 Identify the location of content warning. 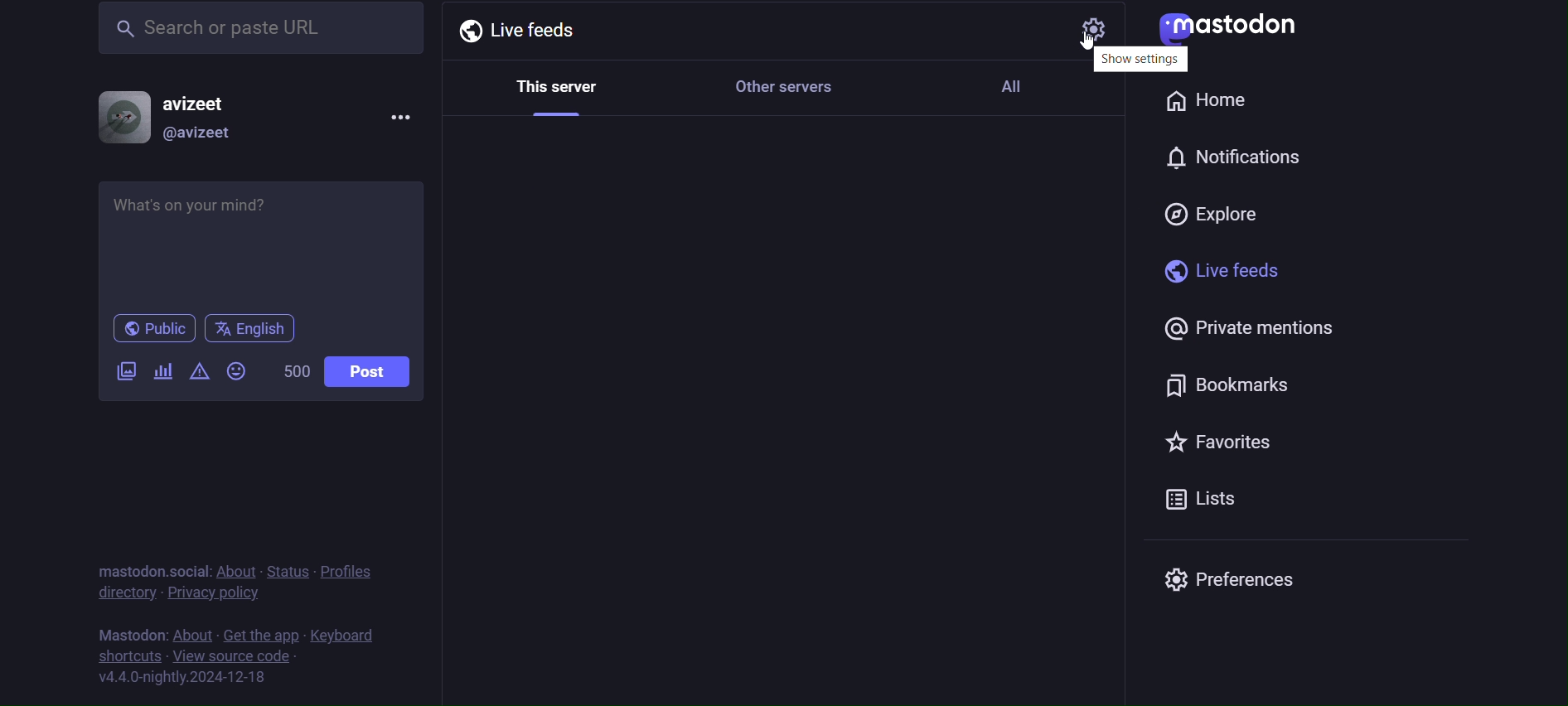
(201, 375).